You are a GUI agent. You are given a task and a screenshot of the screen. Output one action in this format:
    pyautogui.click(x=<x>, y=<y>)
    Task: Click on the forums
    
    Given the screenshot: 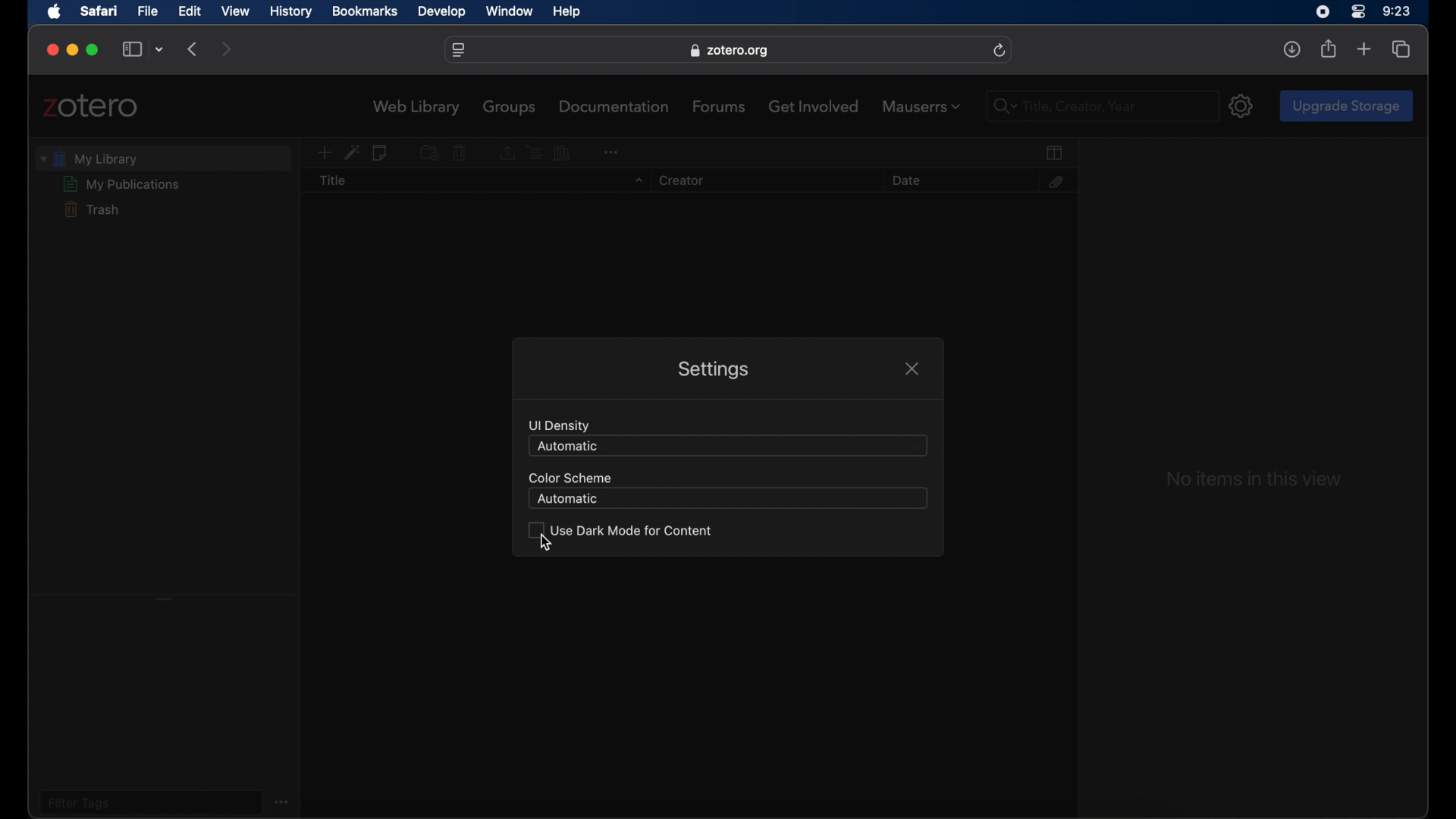 What is the action you would take?
    pyautogui.click(x=720, y=106)
    